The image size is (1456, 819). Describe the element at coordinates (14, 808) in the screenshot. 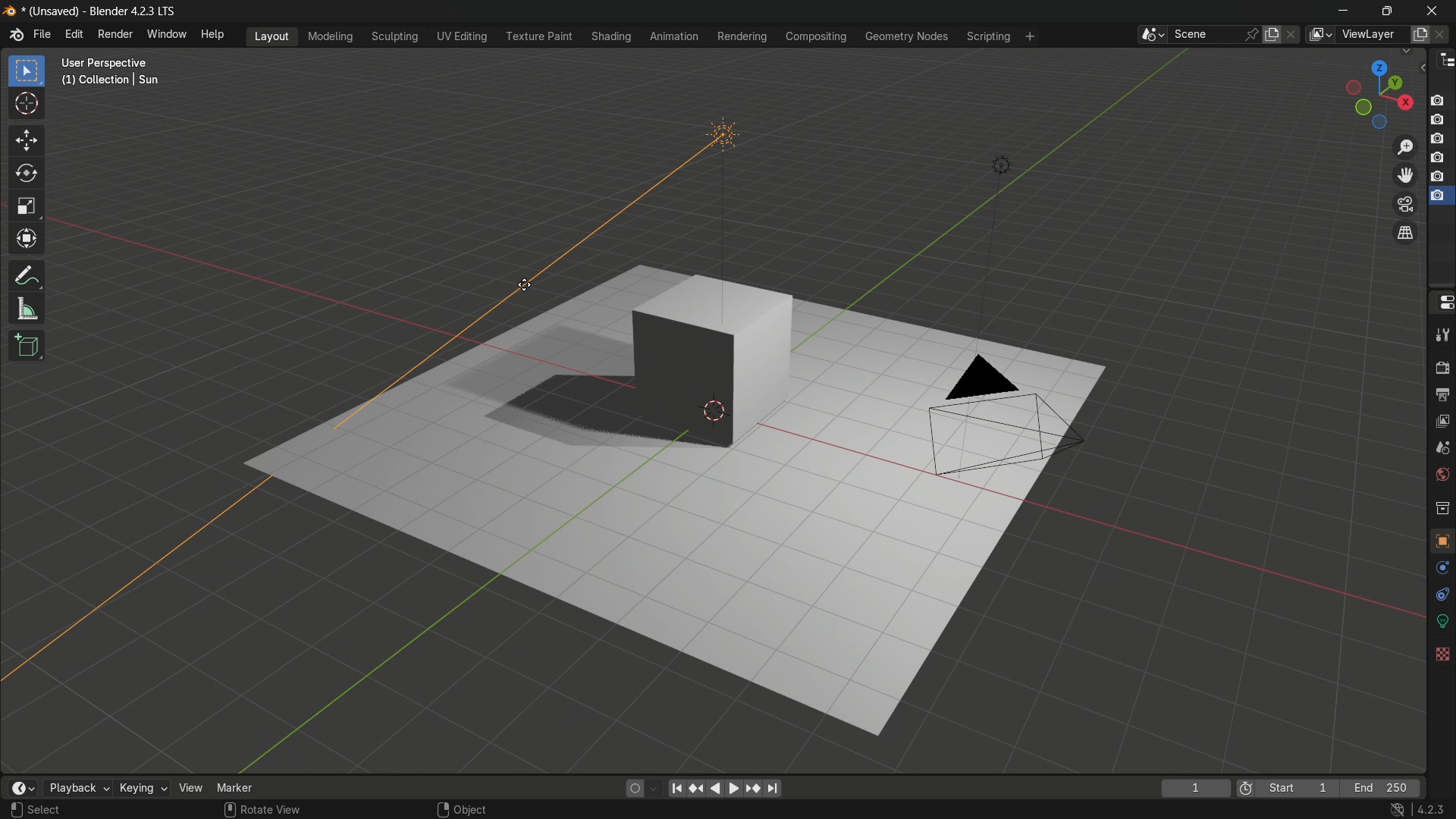

I see `left click` at that location.